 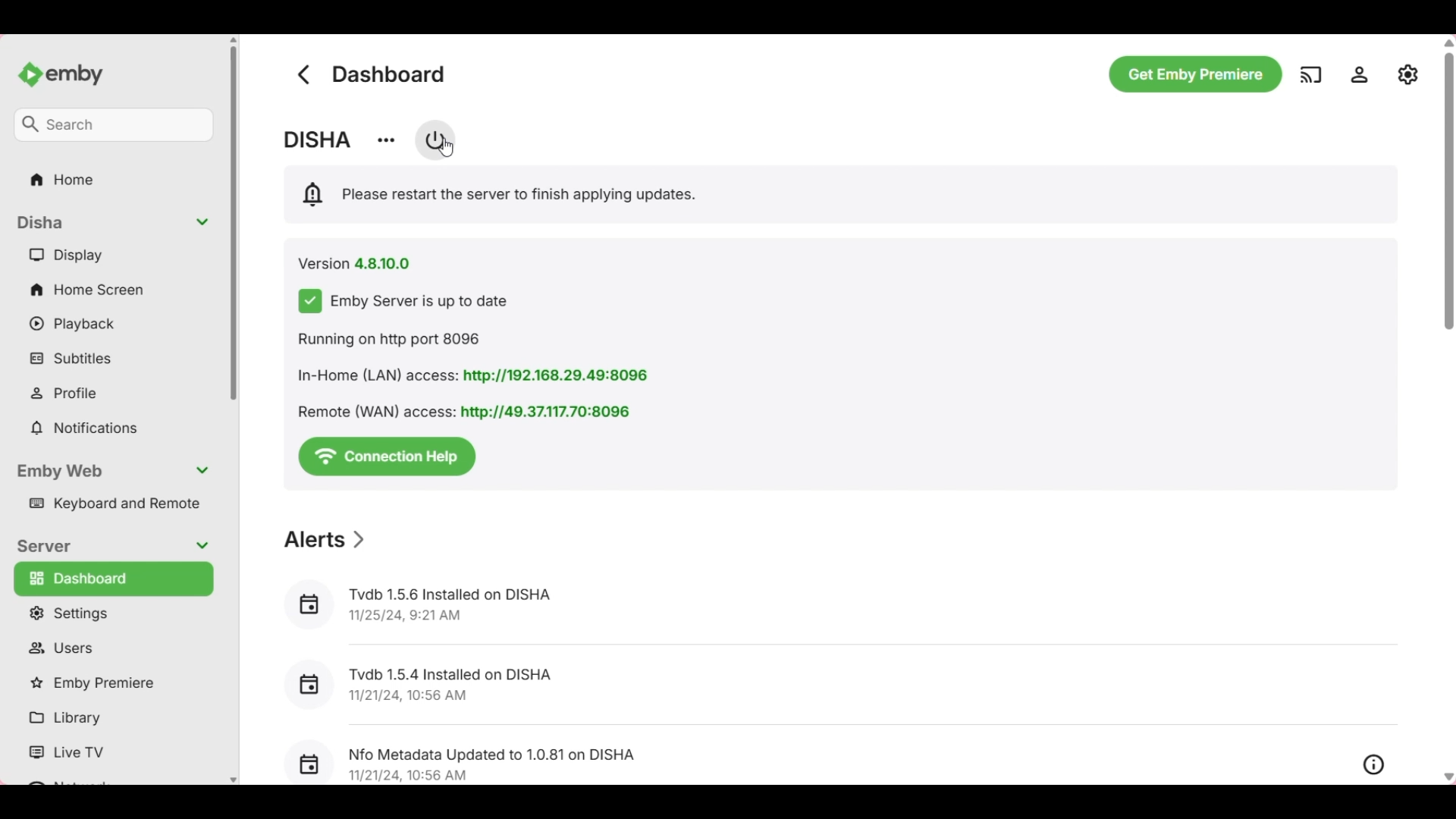 I want to click on Vertical slide bar, so click(x=1448, y=184).